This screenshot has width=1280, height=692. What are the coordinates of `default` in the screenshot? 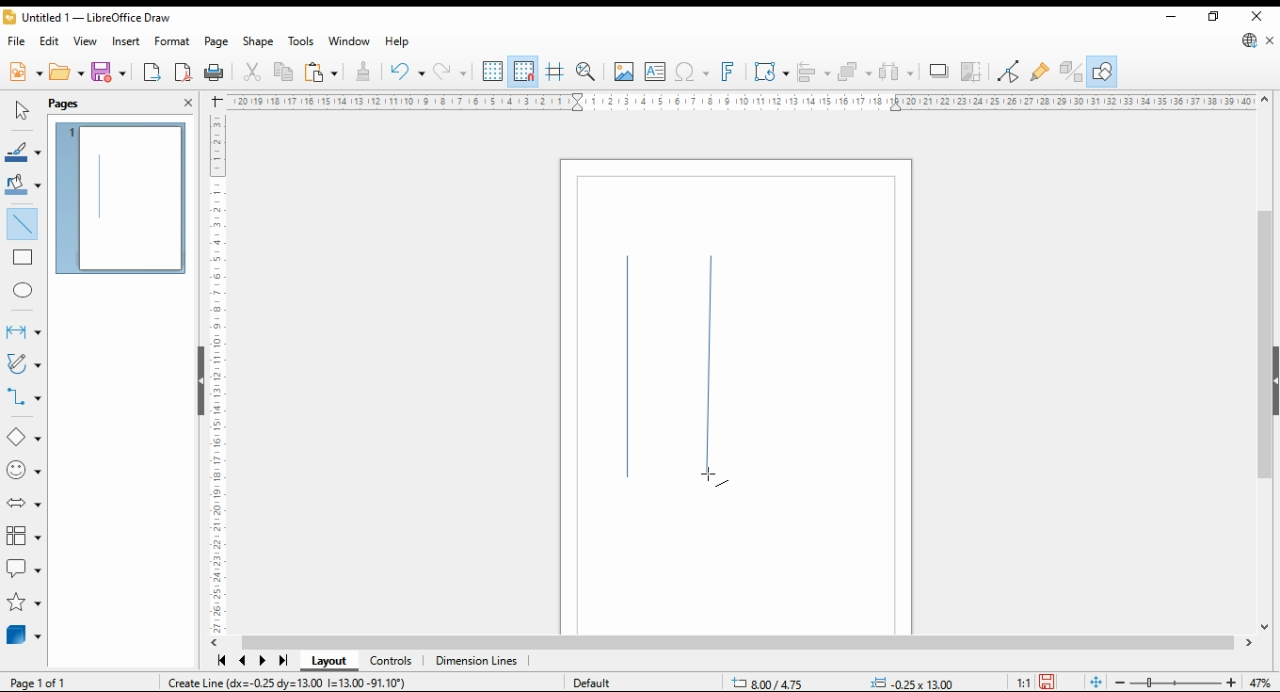 It's located at (593, 683).